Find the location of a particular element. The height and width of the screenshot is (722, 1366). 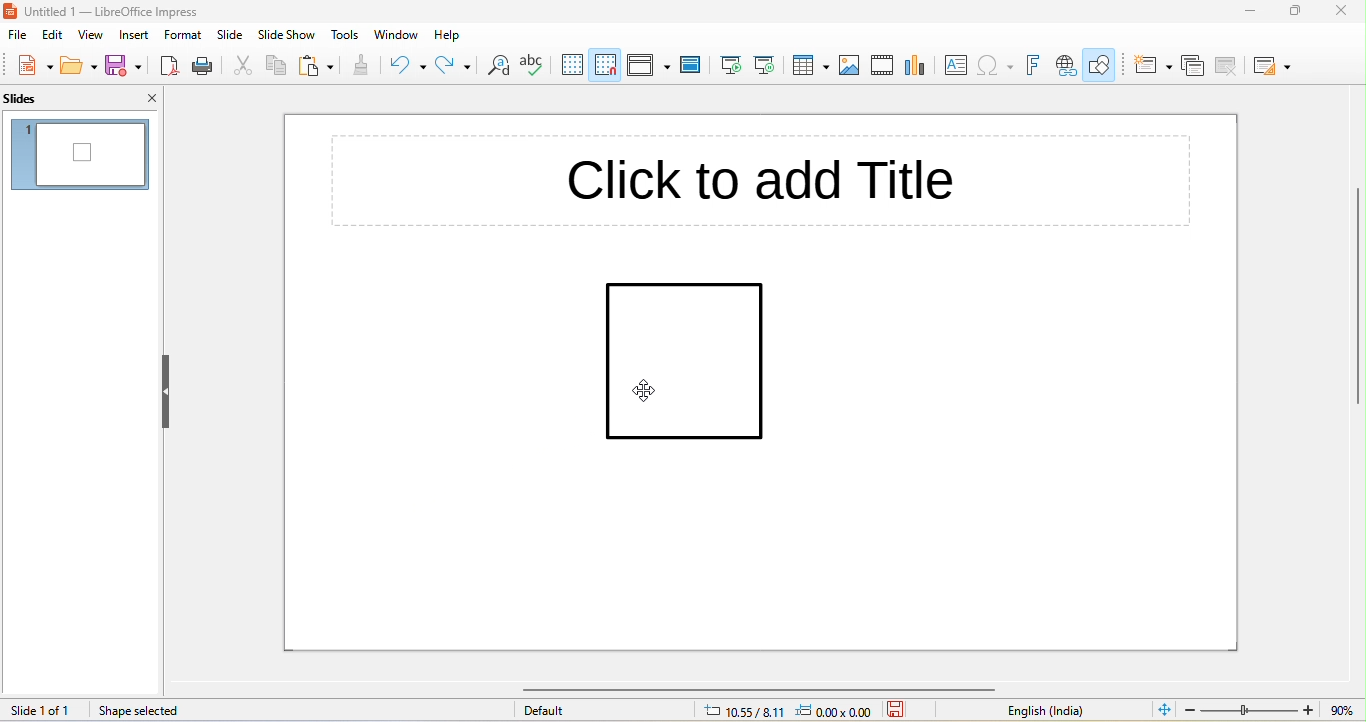

cursor is located at coordinates (653, 391).